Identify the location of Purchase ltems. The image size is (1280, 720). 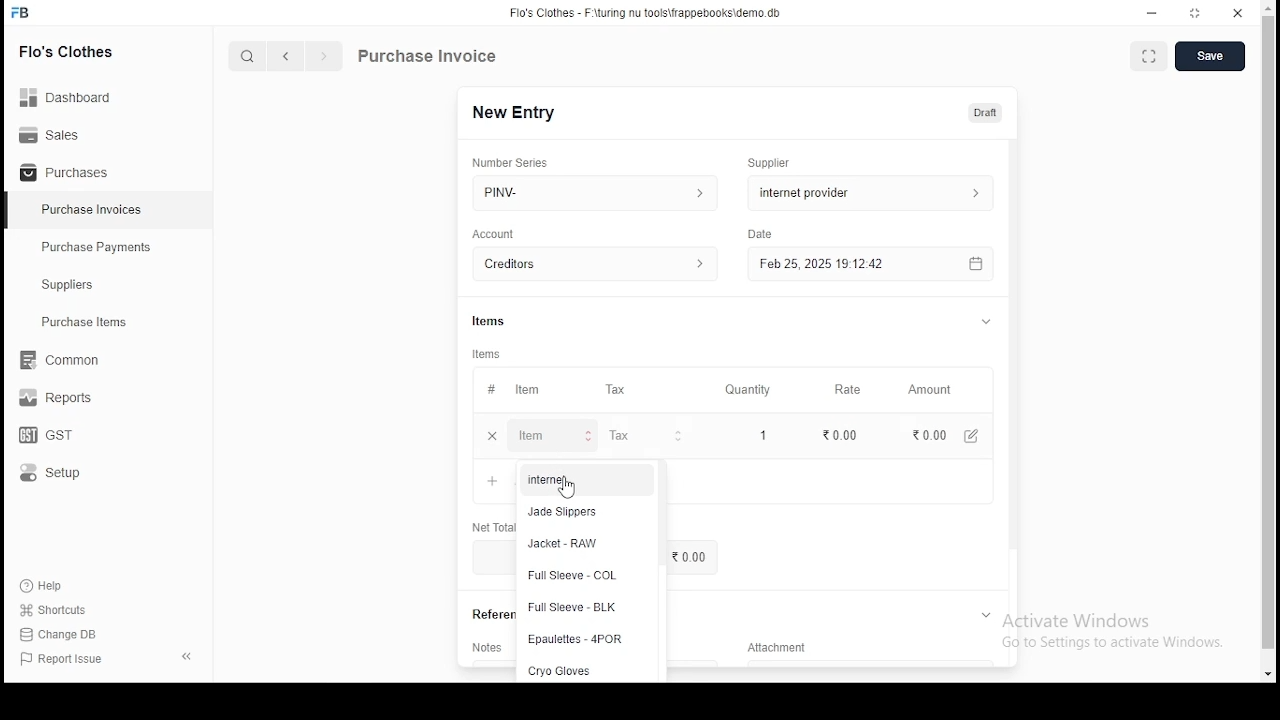
(75, 323).